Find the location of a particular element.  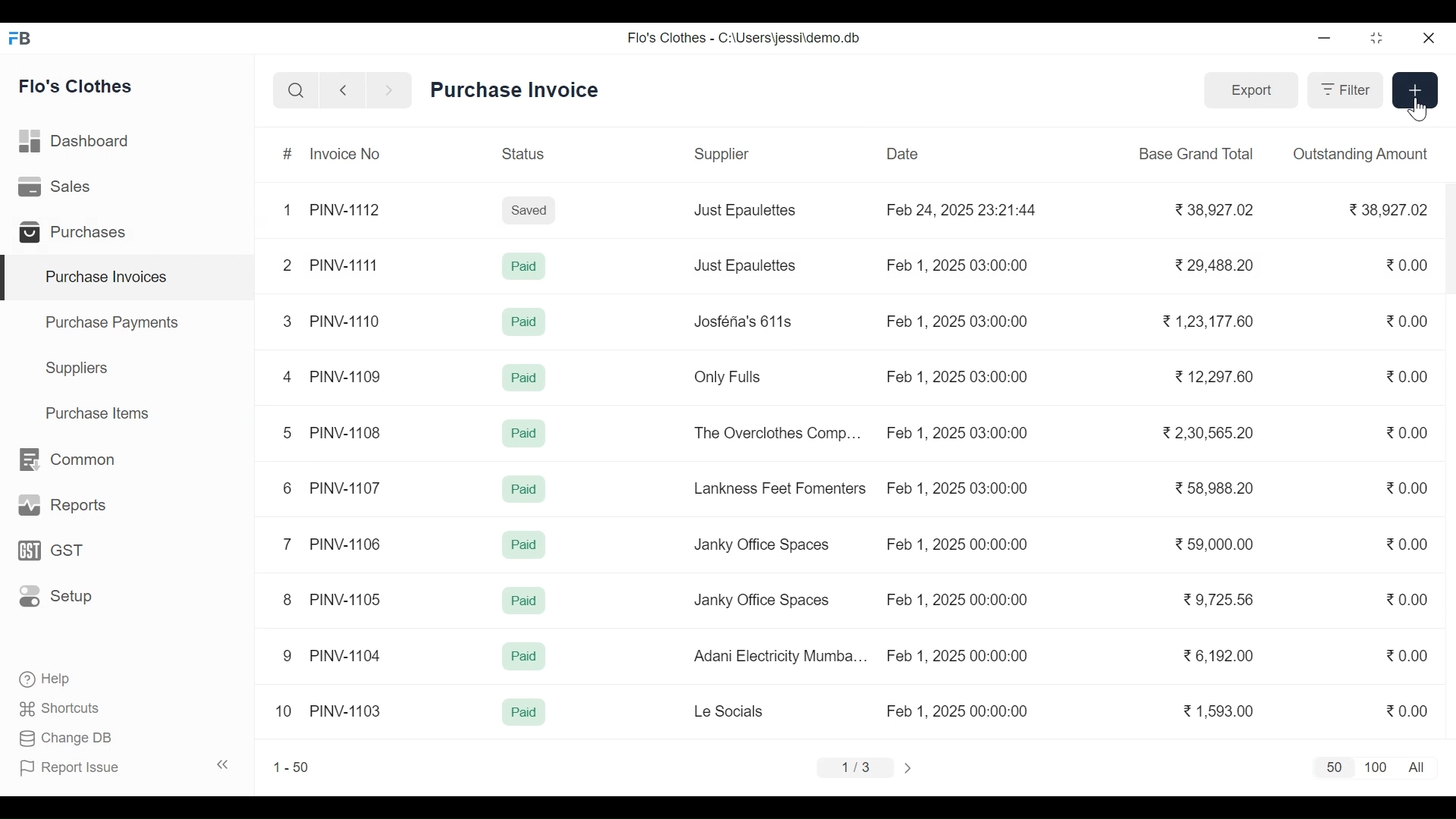

PINV-1106 is located at coordinates (347, 541).